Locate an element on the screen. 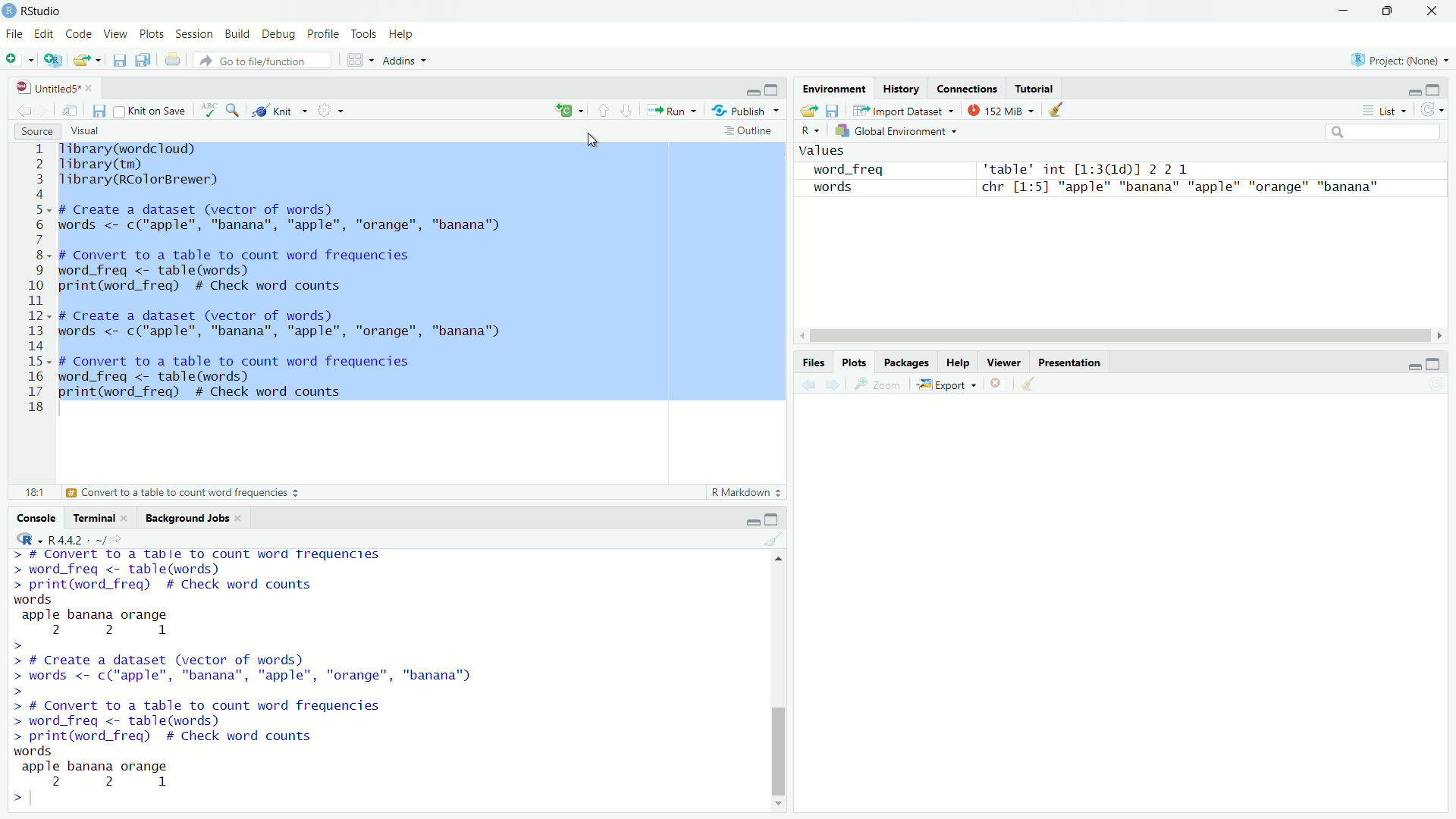 The image size is (1456, 819). Zoom is located at coordinates (878, 384).